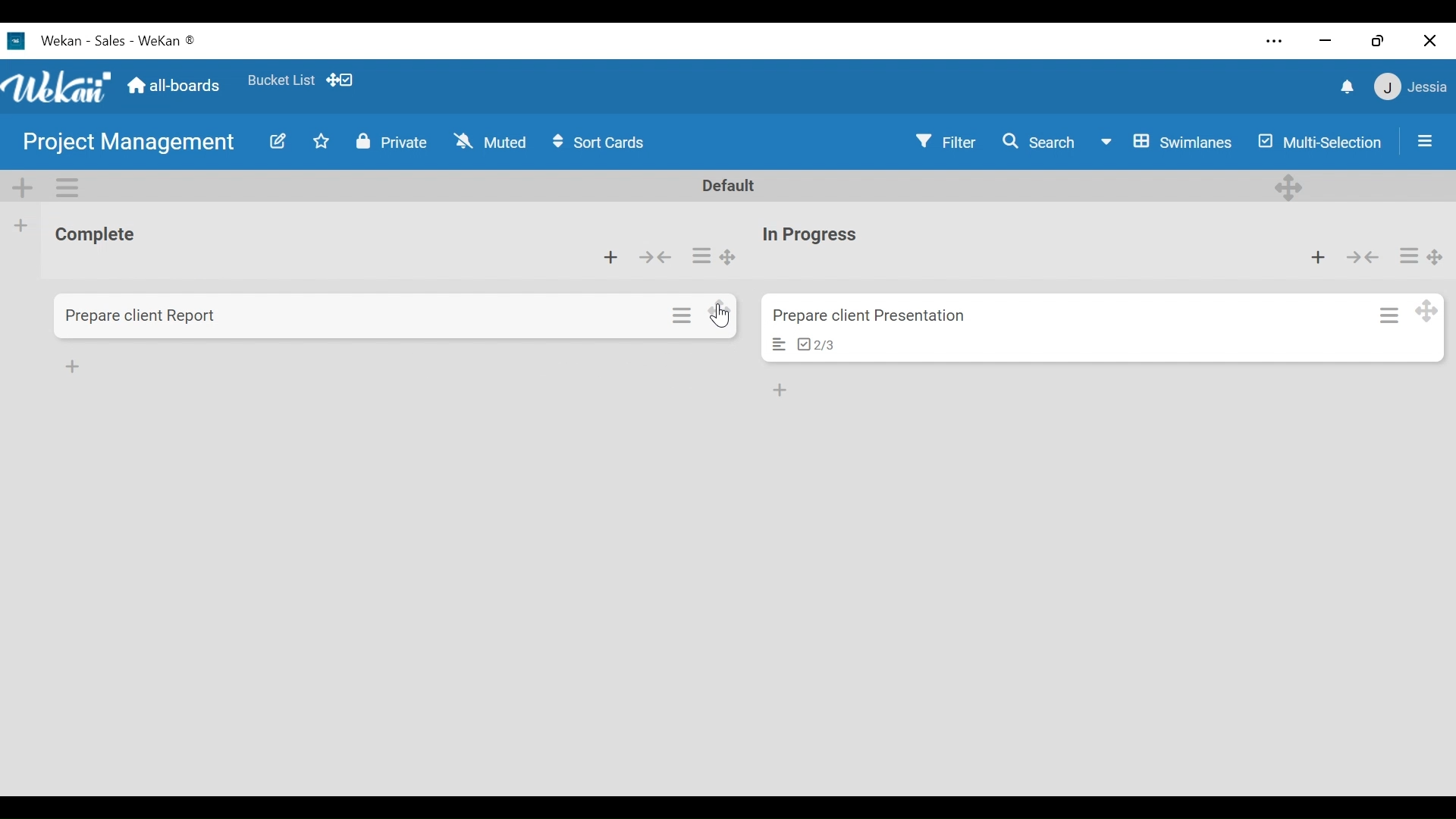 The width and height of the screenshot is (1456, 819). I want to click on Card, so click(394, 316).